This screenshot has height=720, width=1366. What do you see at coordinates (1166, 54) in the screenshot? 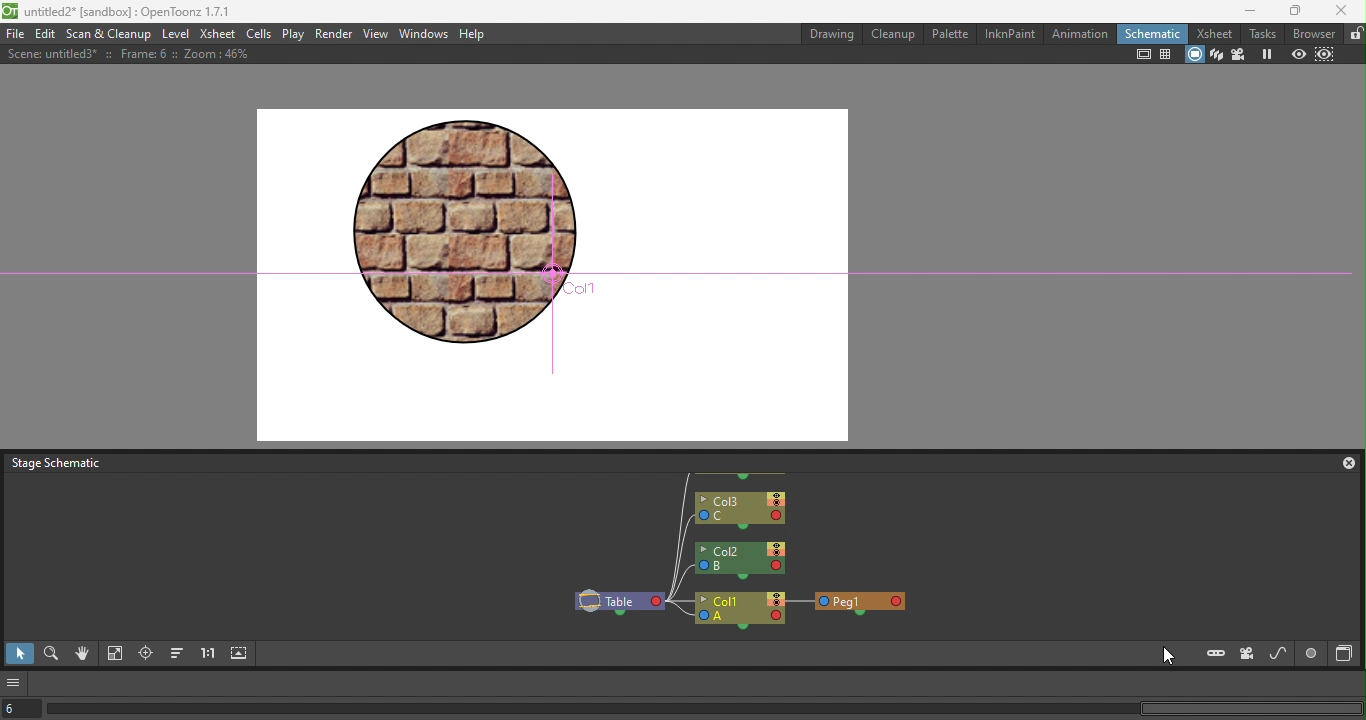
I see `Field guide` at bounding box center [1166, 54].